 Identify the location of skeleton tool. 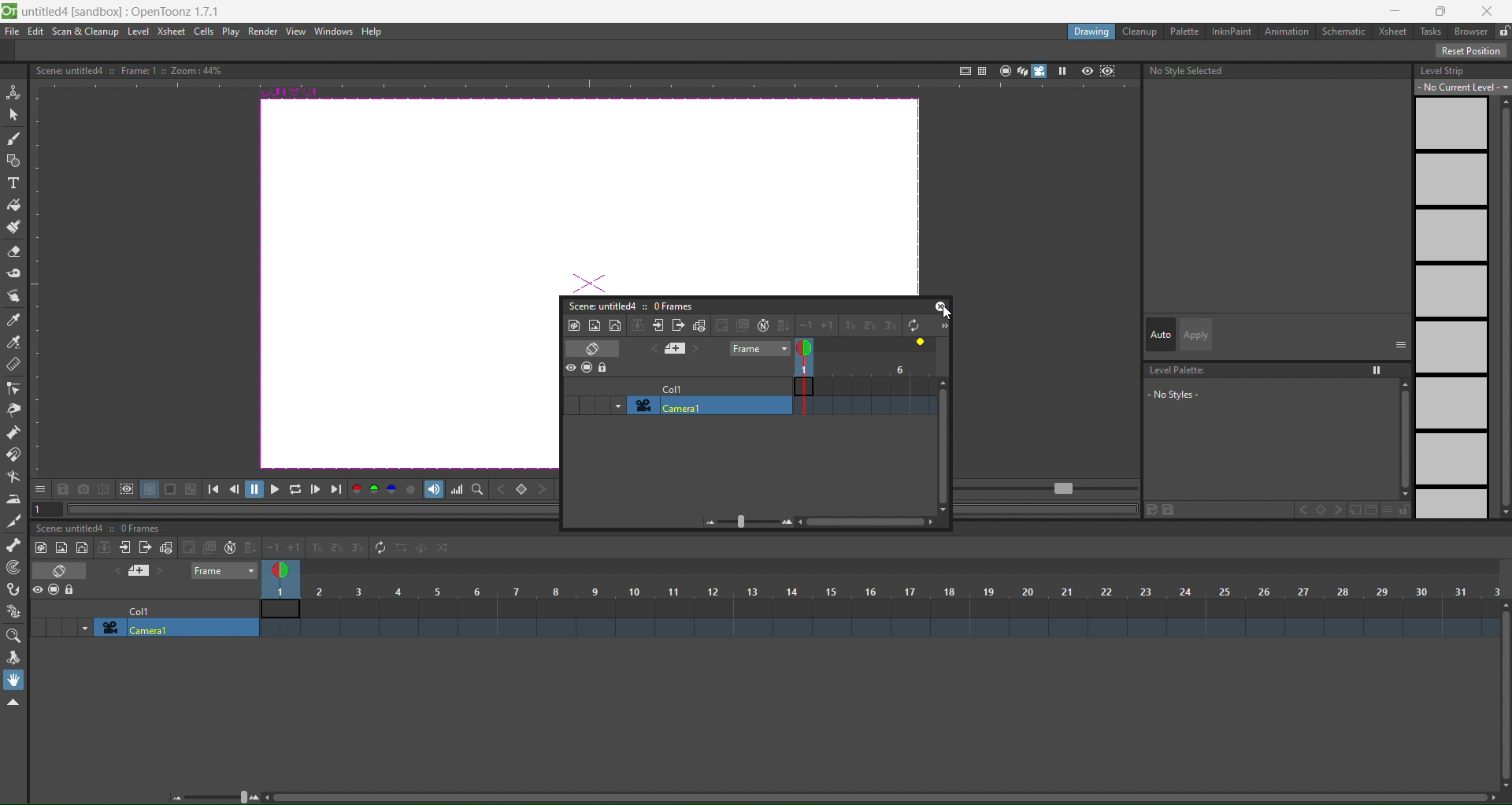
(14, 544).